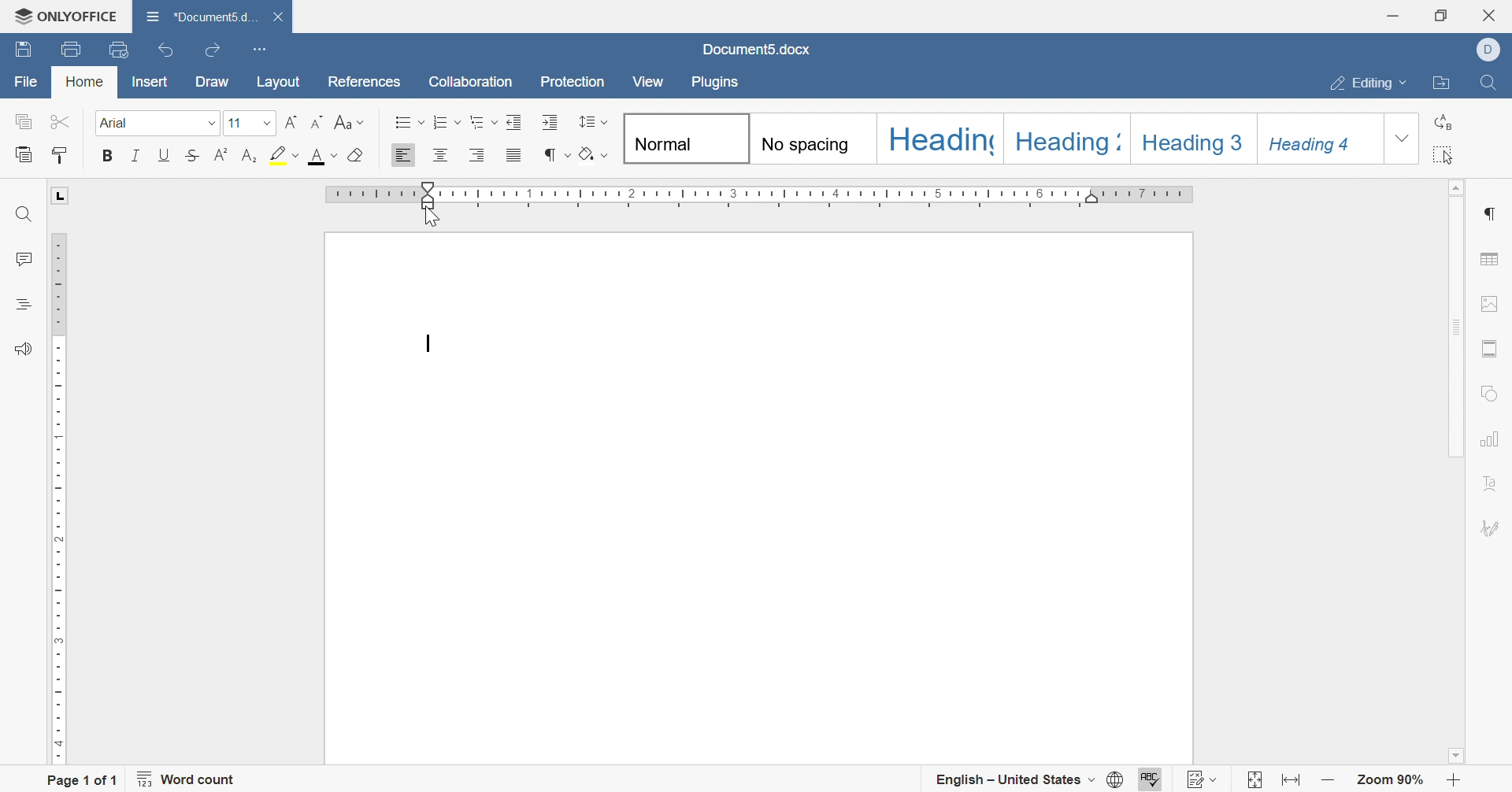 The height and width of the screenshot is (792, 1512). I want to click on numbering, so click(447, 123).